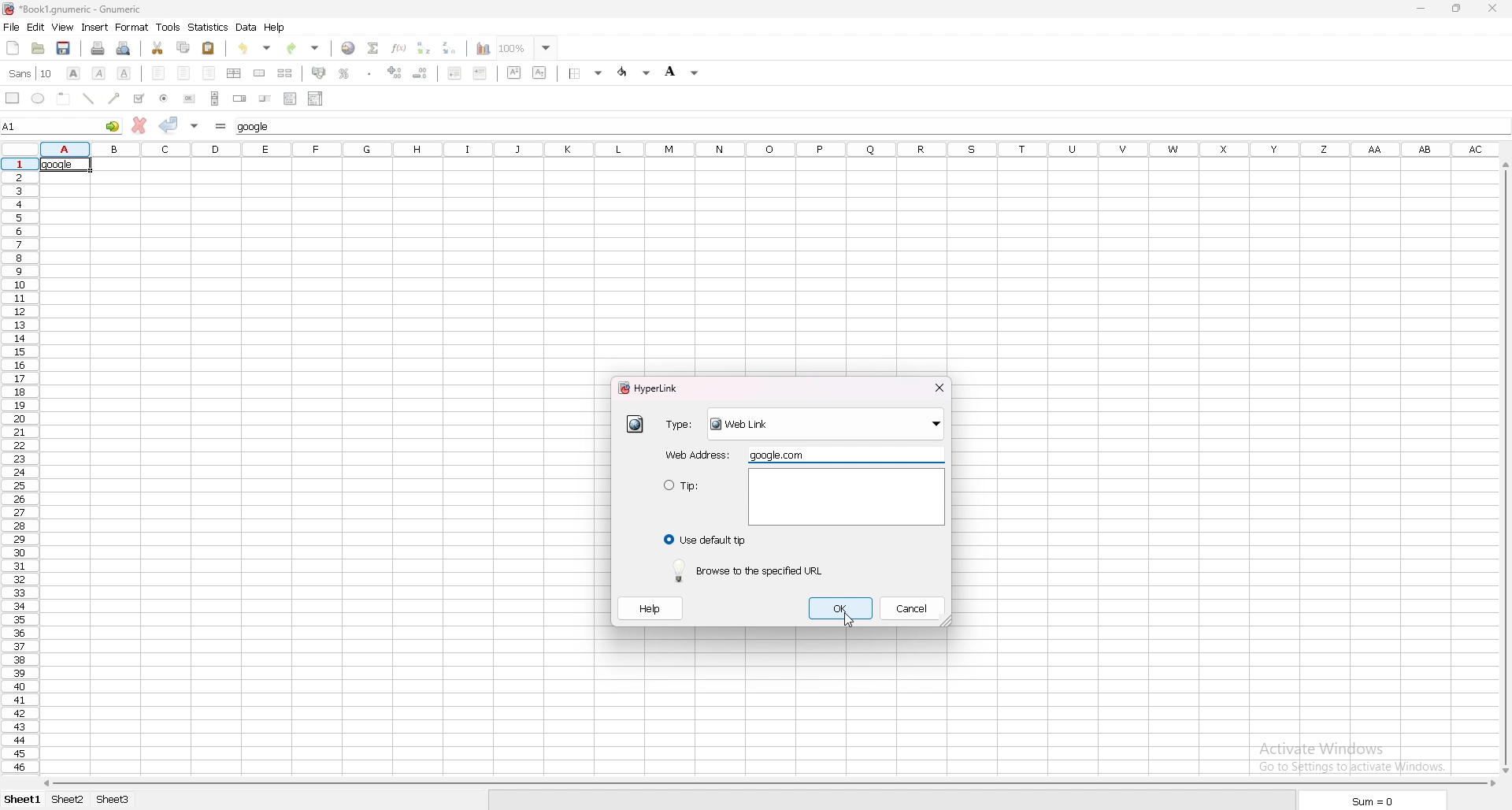 The image size is (1512, 810). What do you see at coordinates (13, 97) in the screenshot?
I see `rectangle` at bounding box center [13, 97].